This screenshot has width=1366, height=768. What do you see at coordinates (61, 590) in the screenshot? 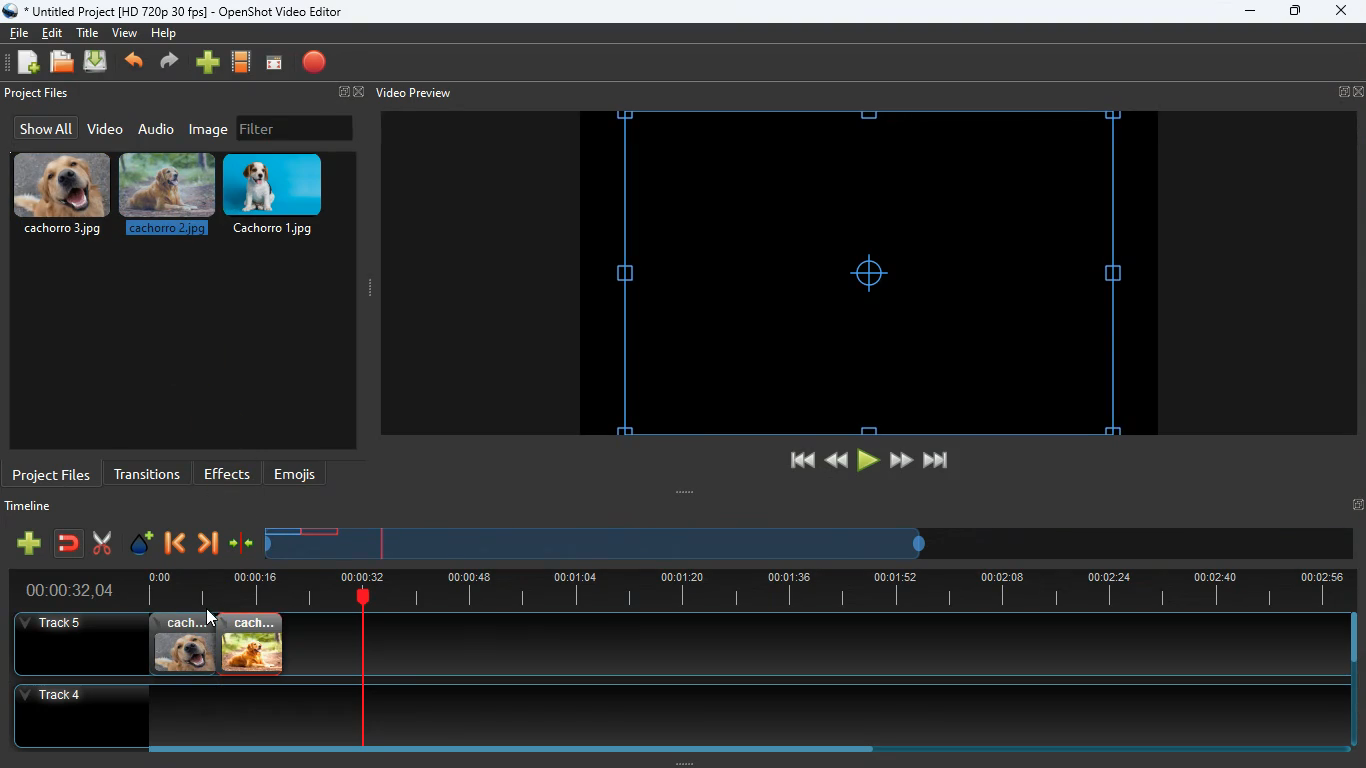
I see `time` at bounding box center [61, 590].